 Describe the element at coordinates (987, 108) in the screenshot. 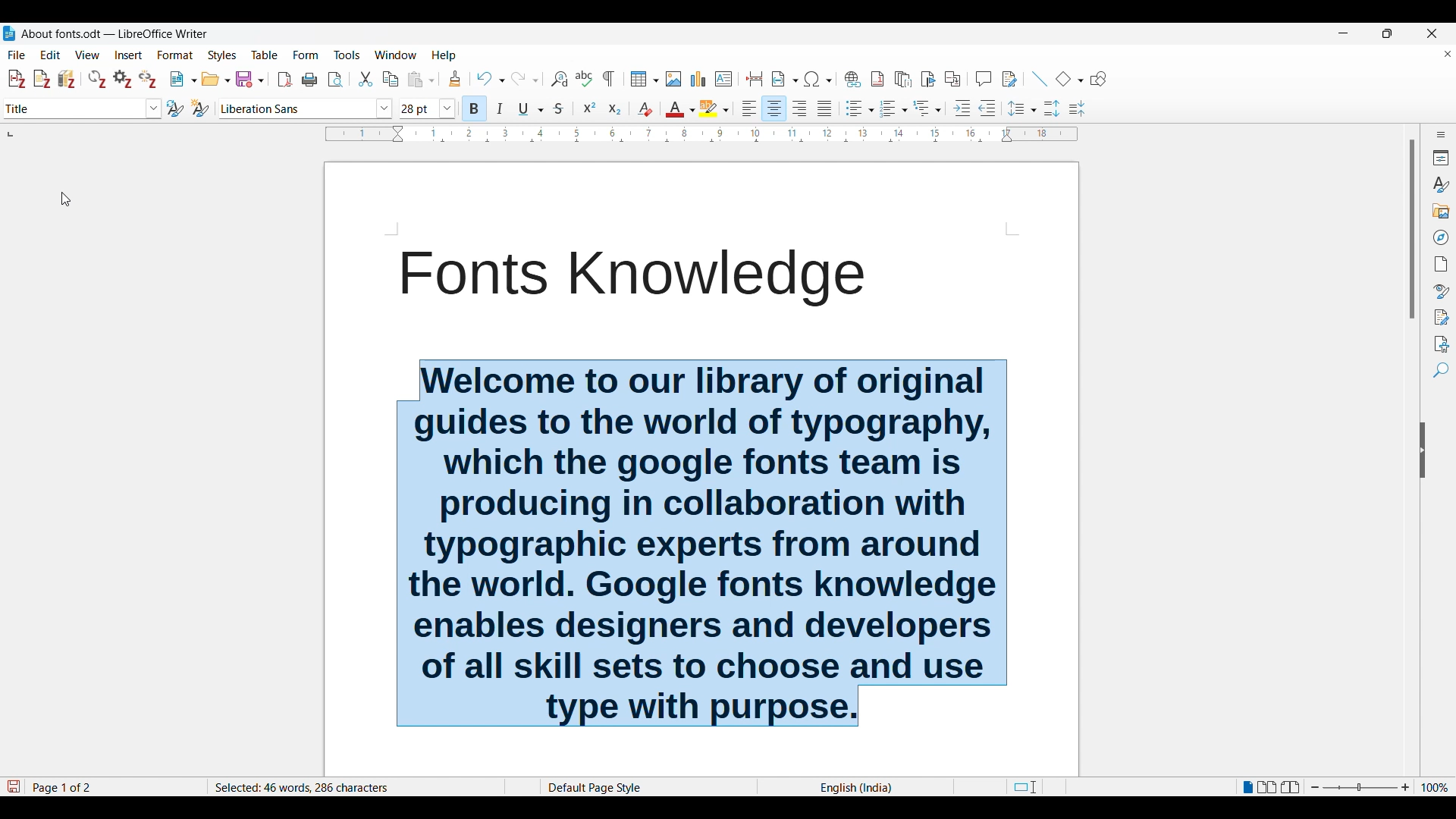

I see `Decrease indent` at that location.